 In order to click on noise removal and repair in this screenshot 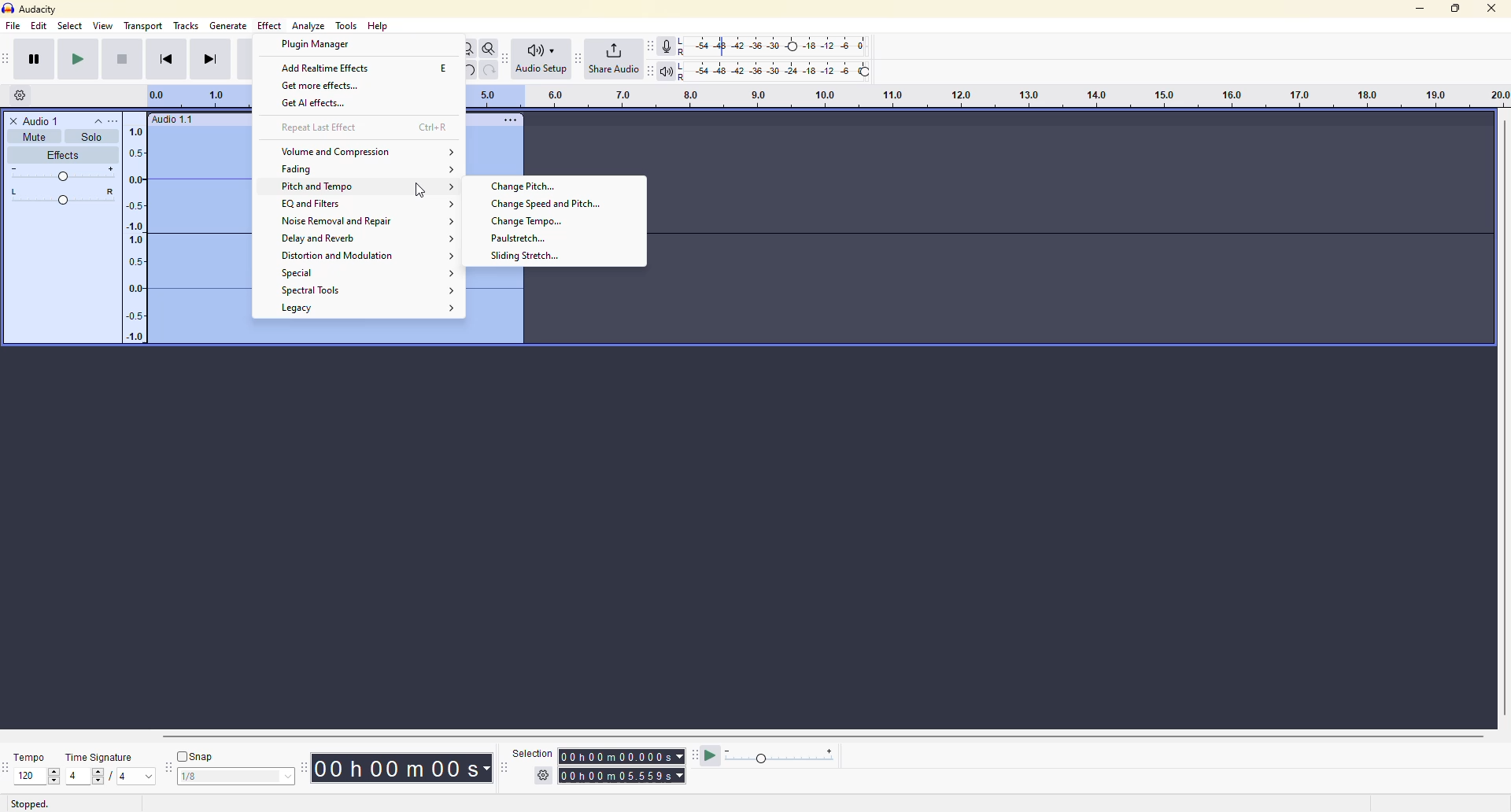, I will do `click(337, 221)`.